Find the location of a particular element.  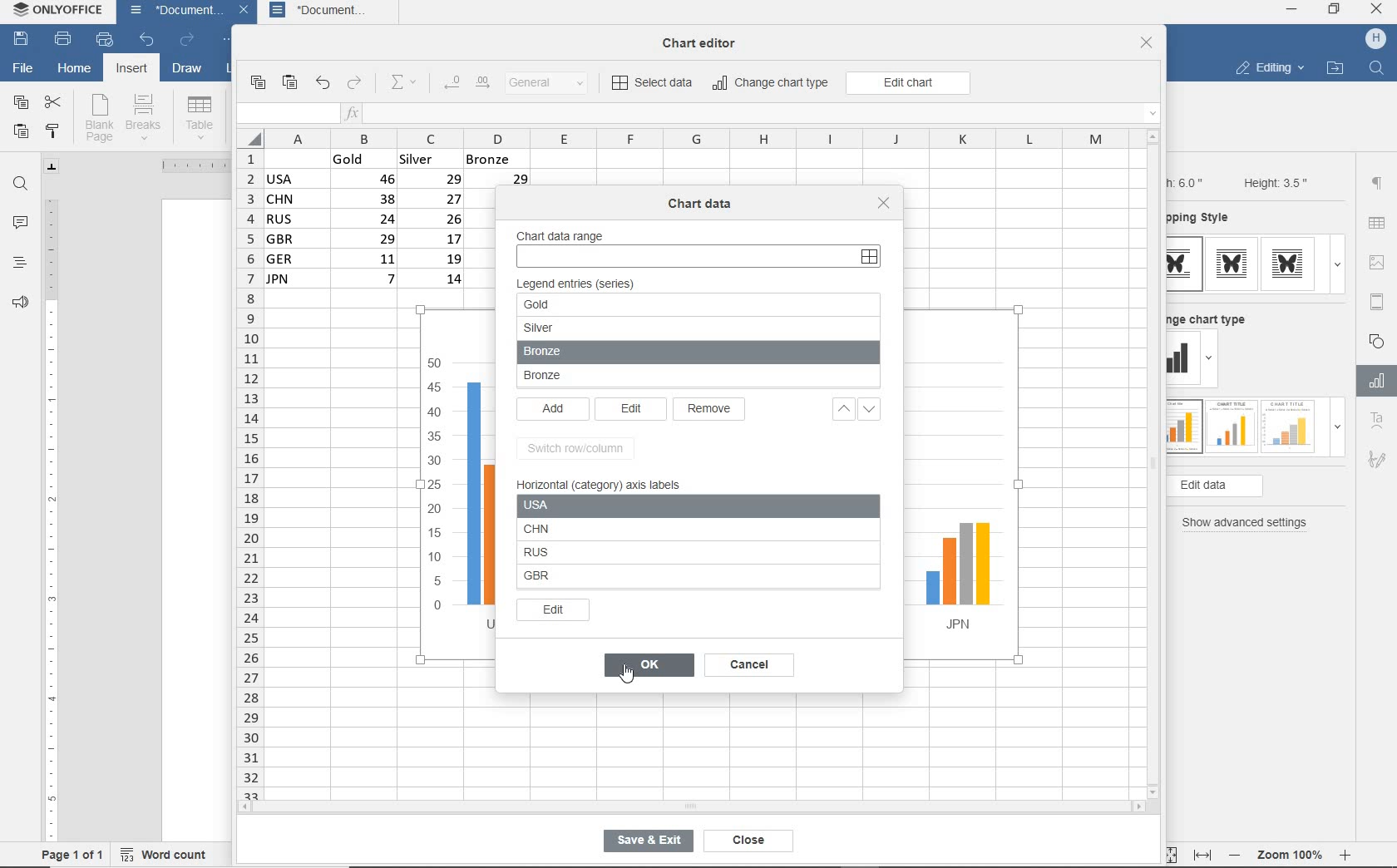

gold is located at coordinates (595, 304).